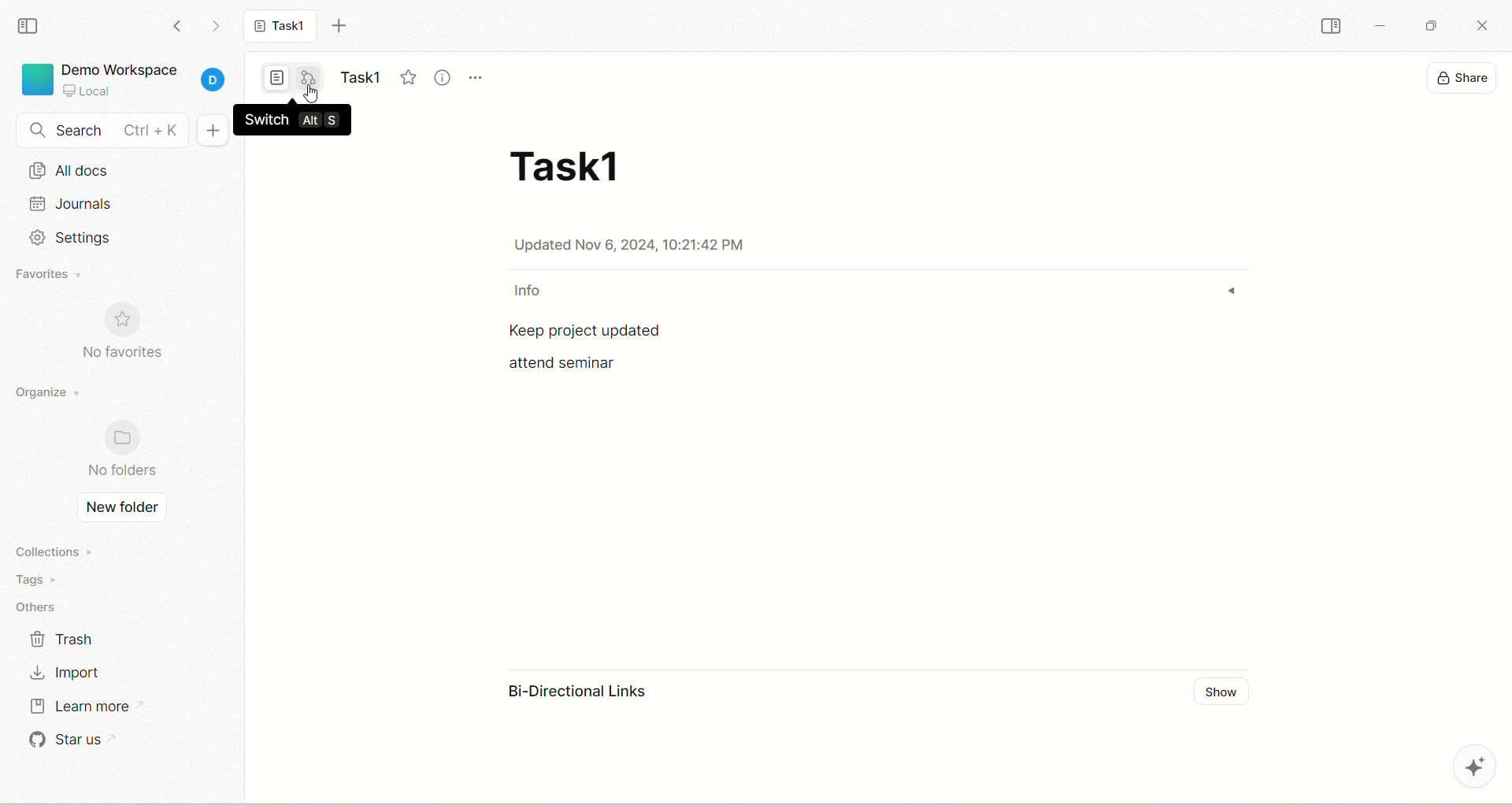 This screenshot has height=805, width=1512. Describe the element at coordinates (1329, 26) in the screenshot. I see `collapse sidebar` at that location.